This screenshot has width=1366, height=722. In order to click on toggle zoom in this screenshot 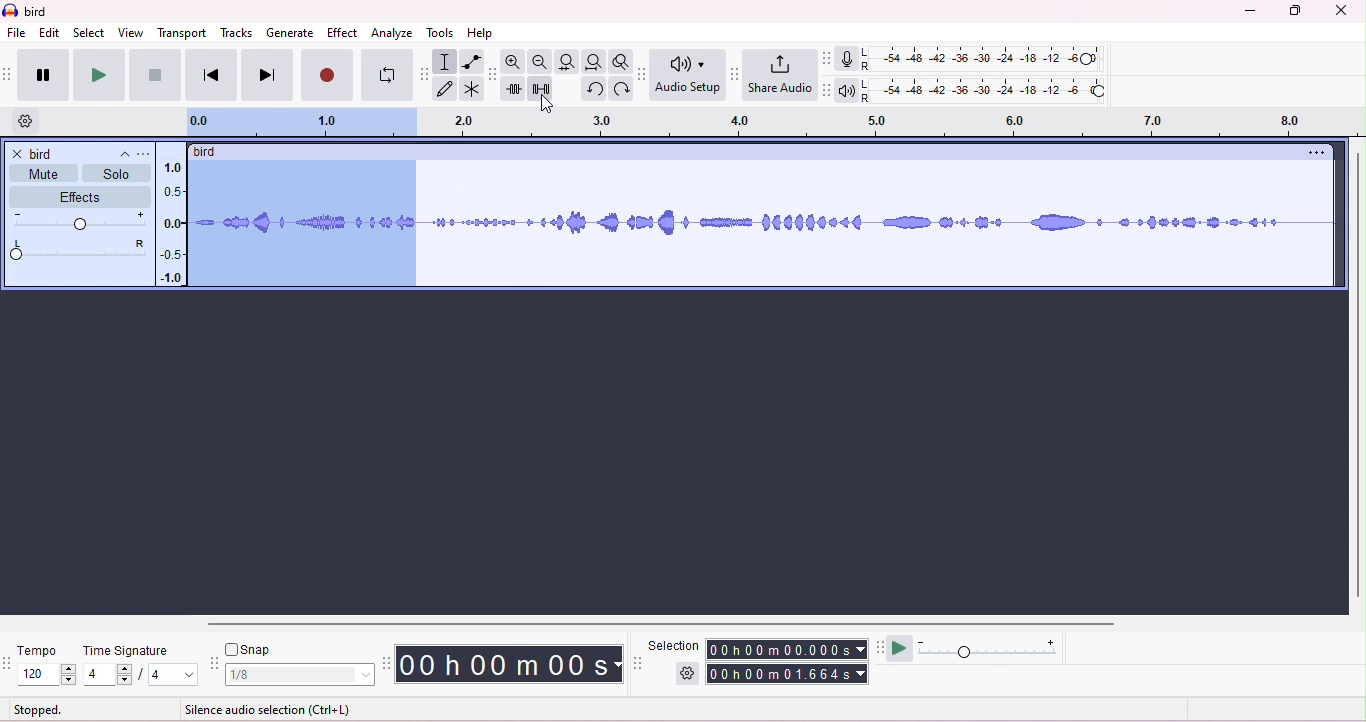, I will do `click(621, 61)`.